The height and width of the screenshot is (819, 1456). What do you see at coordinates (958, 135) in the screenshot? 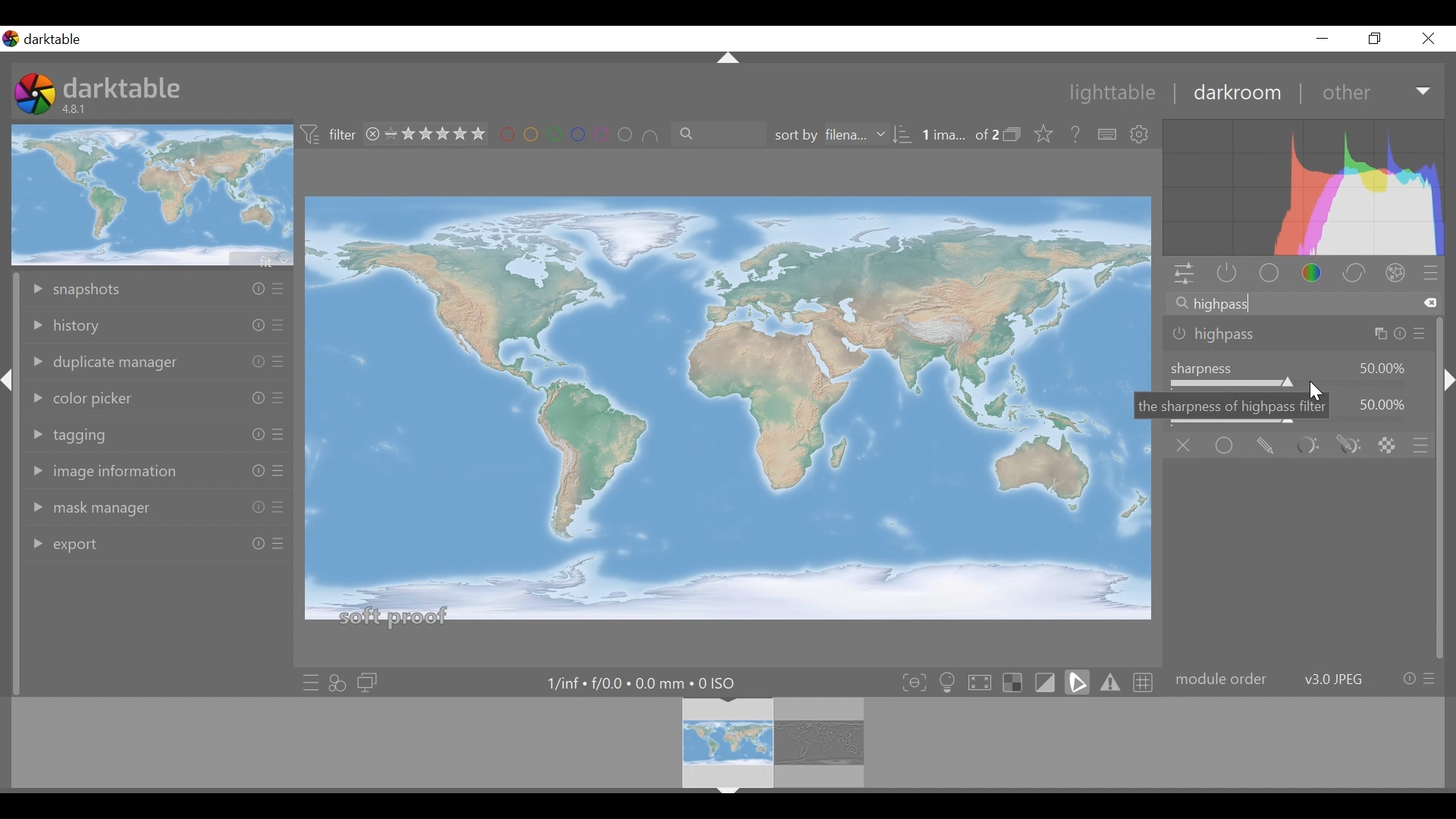
I see `1 ima... of 2` at bounding box center [958, 135].